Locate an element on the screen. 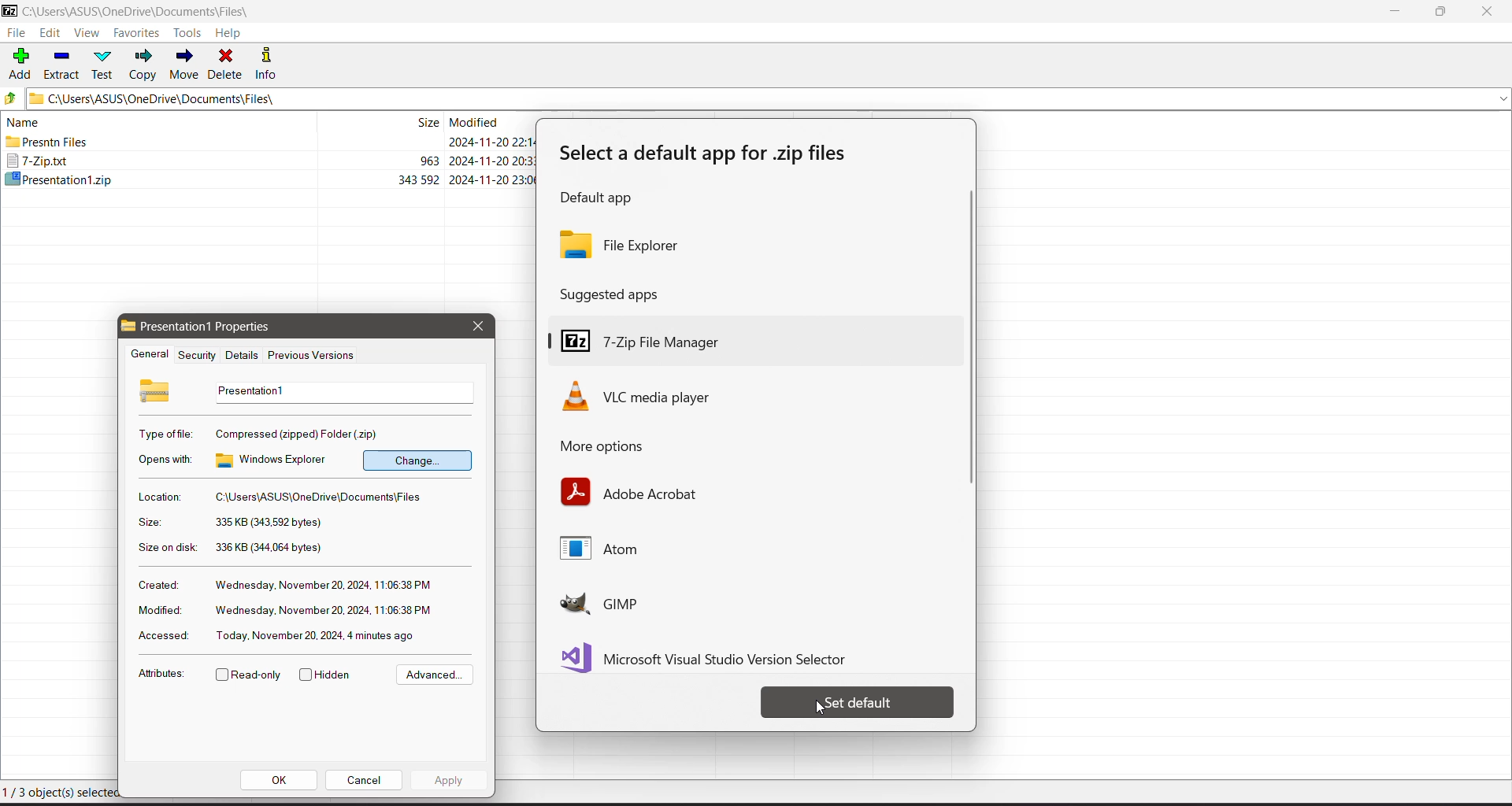 This screenshot has width=1512, height=806. Test is located at coordinates (105, 64).